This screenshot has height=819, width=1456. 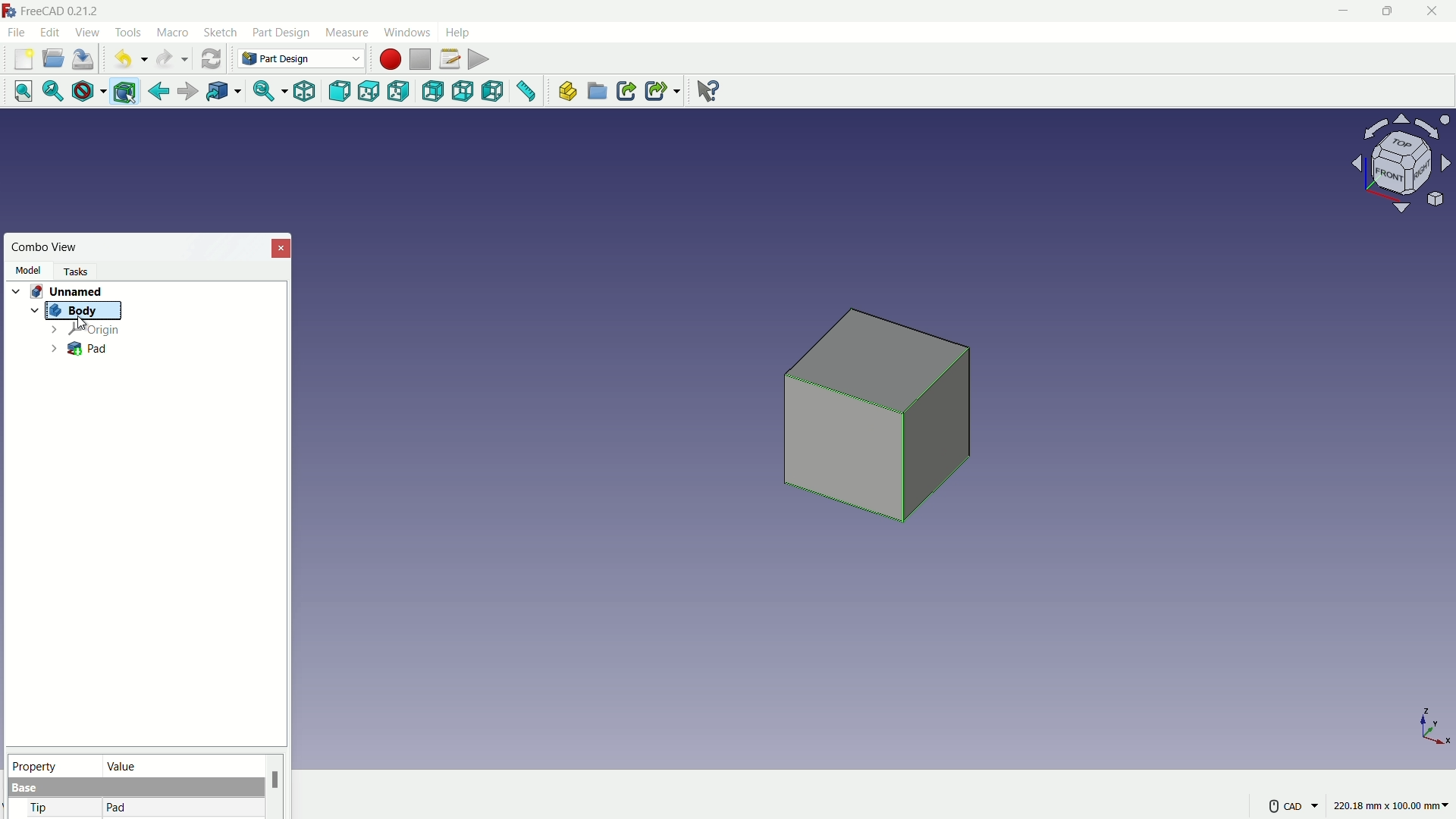 I want to click on task, so click(x=80, y=270).